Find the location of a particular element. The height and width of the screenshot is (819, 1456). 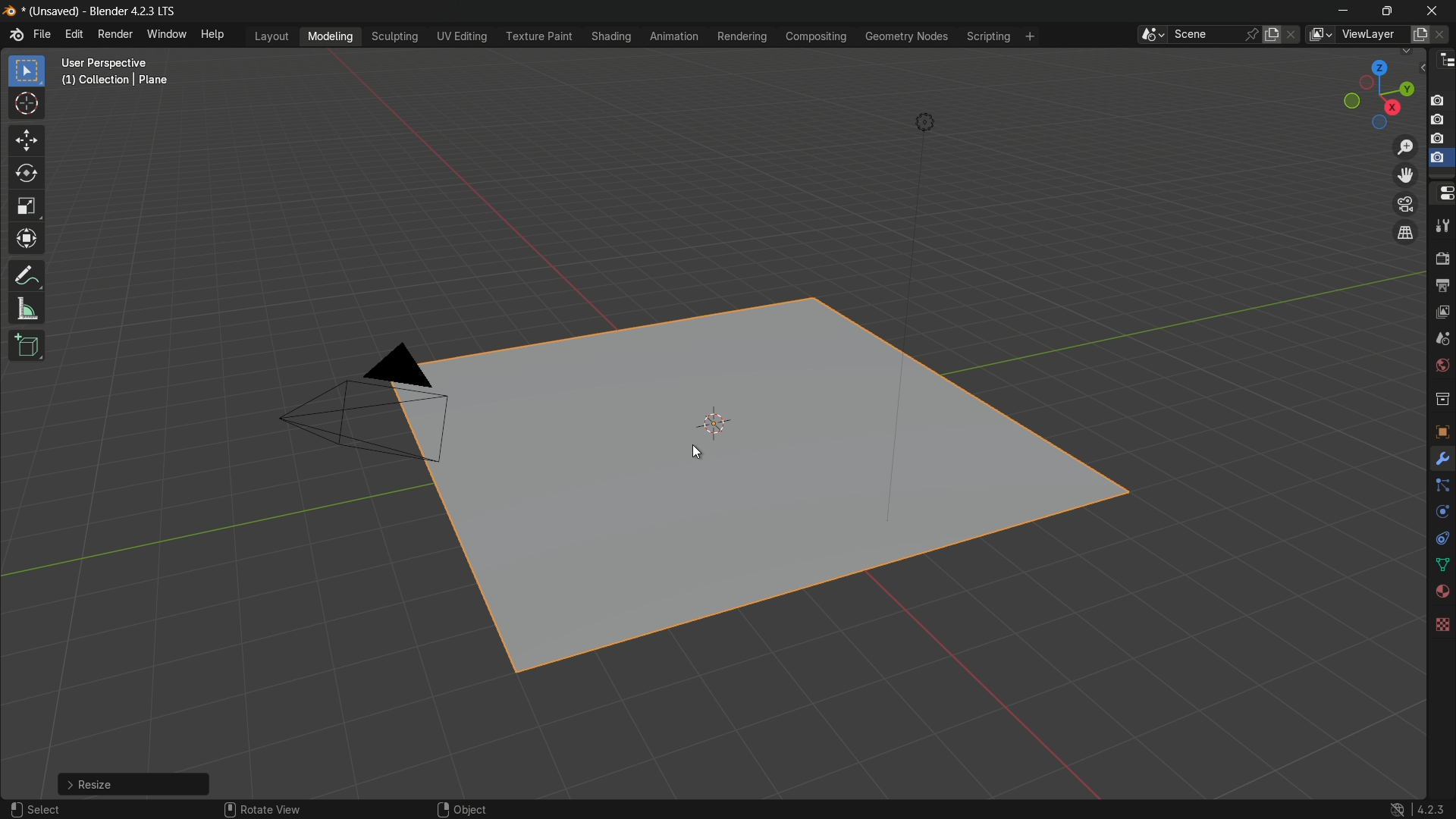

toggle the camera view is located at coordinates (1407, 205).